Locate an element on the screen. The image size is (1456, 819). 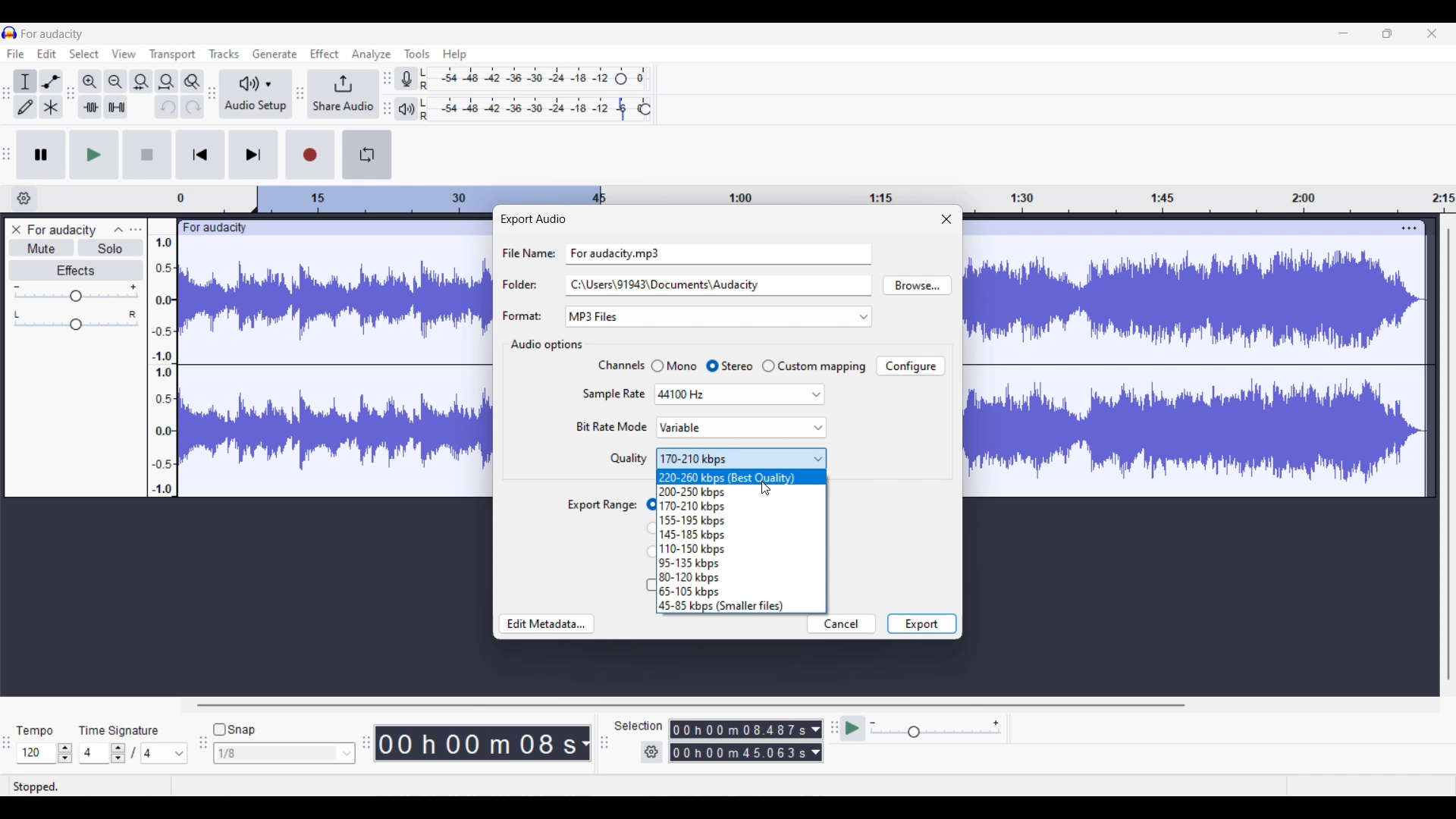
Selection settings is located at coordinates (652, 752).